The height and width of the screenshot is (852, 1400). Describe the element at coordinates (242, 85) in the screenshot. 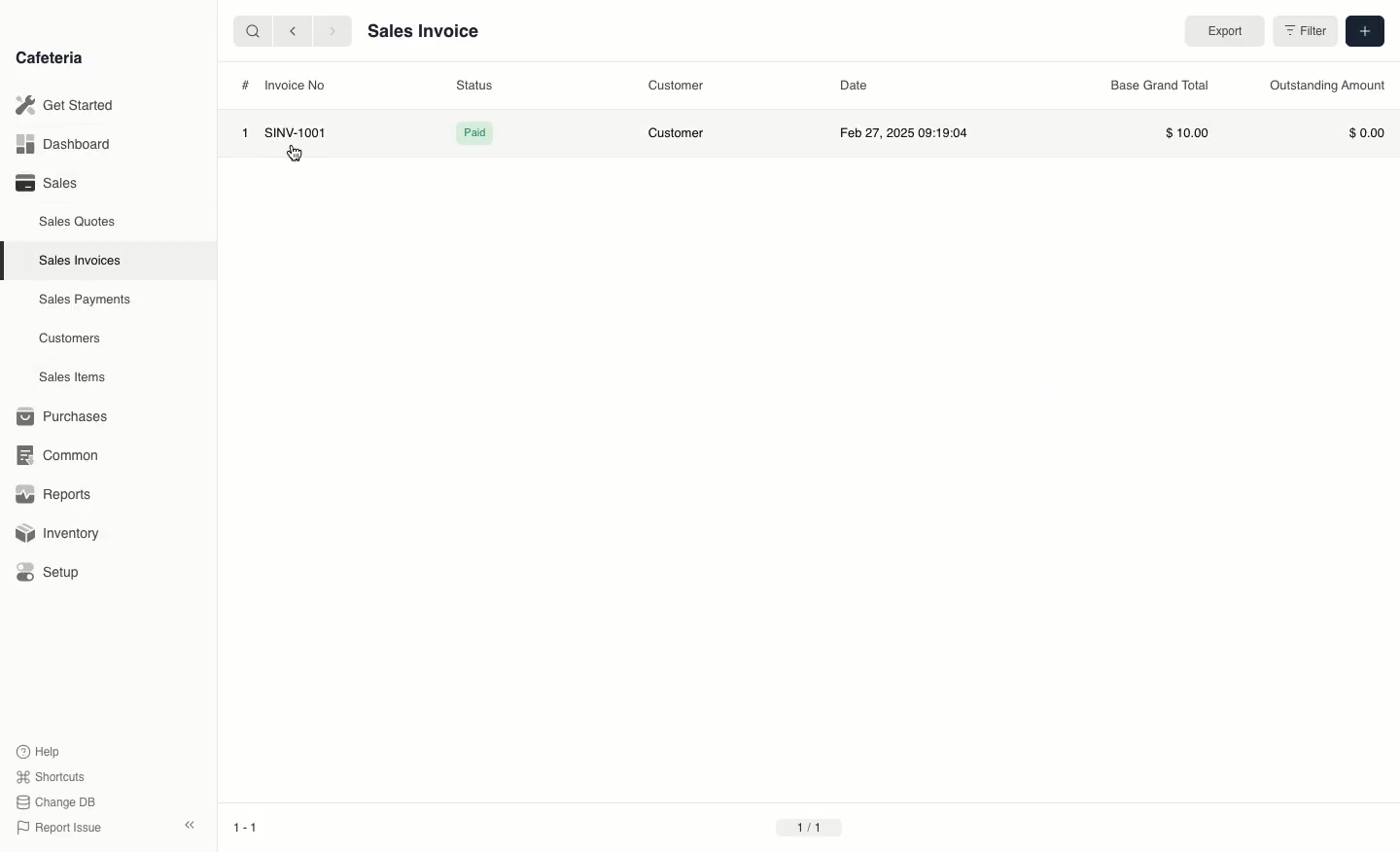

I see `#` at that location.